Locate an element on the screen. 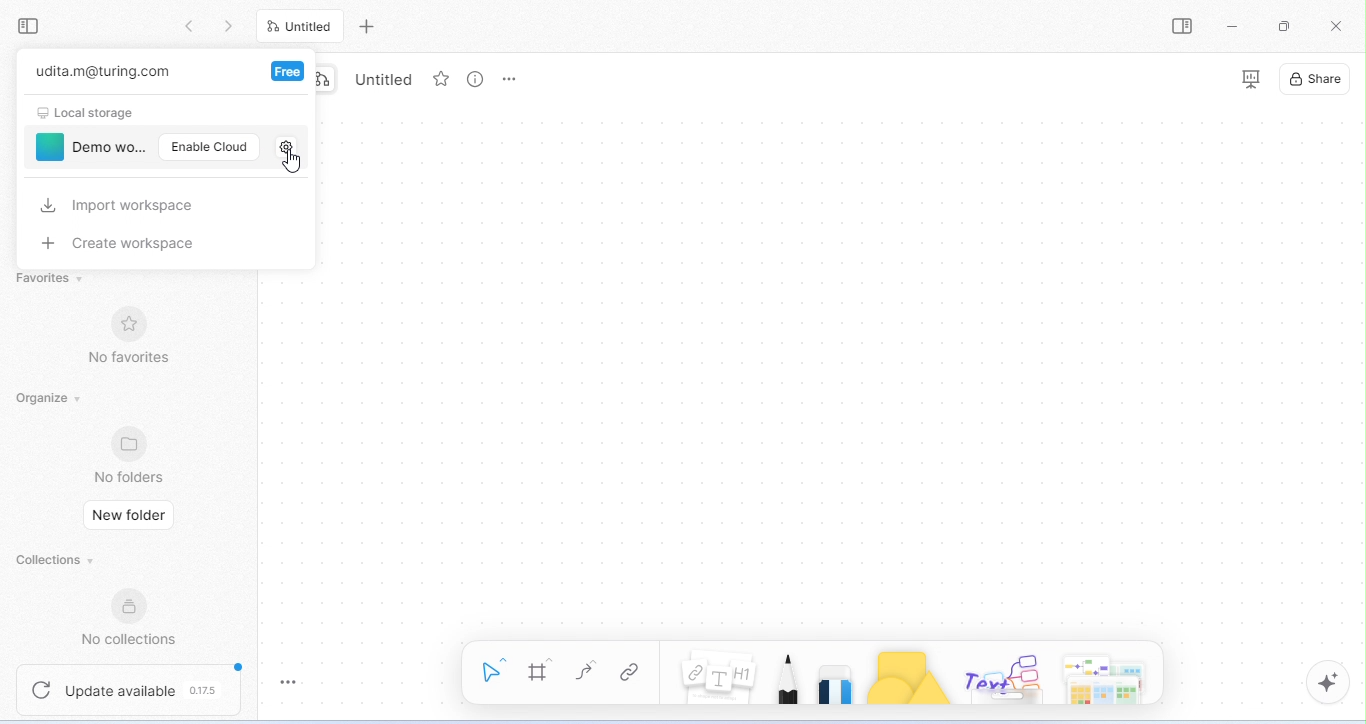 The width and height of the screenshot is (1366, 724). udita.m@turing.com is located at coordinates (108, 72).